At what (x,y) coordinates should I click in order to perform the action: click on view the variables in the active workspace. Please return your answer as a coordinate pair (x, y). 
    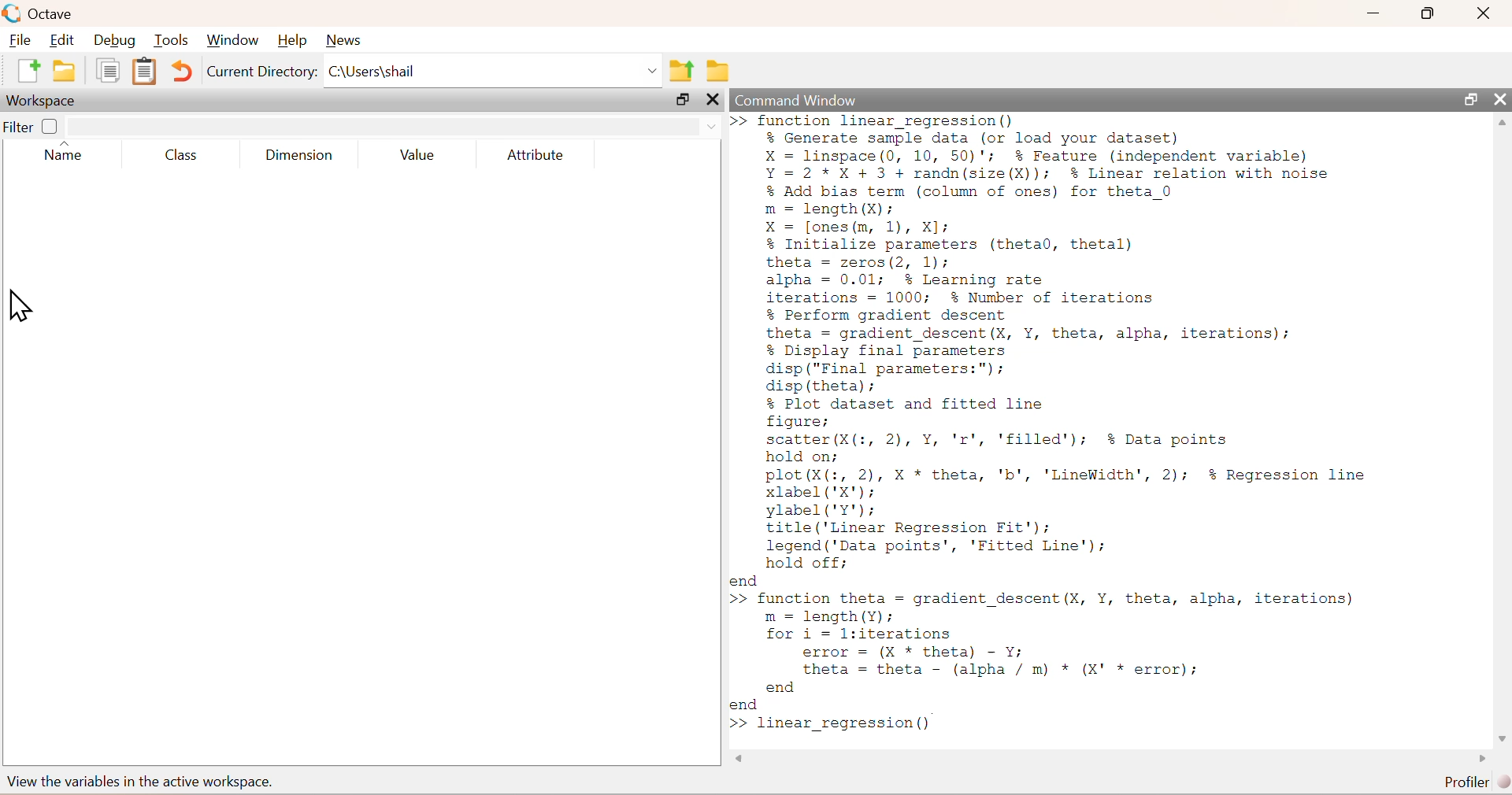
    Looking at the image, I should click on (142, 782).